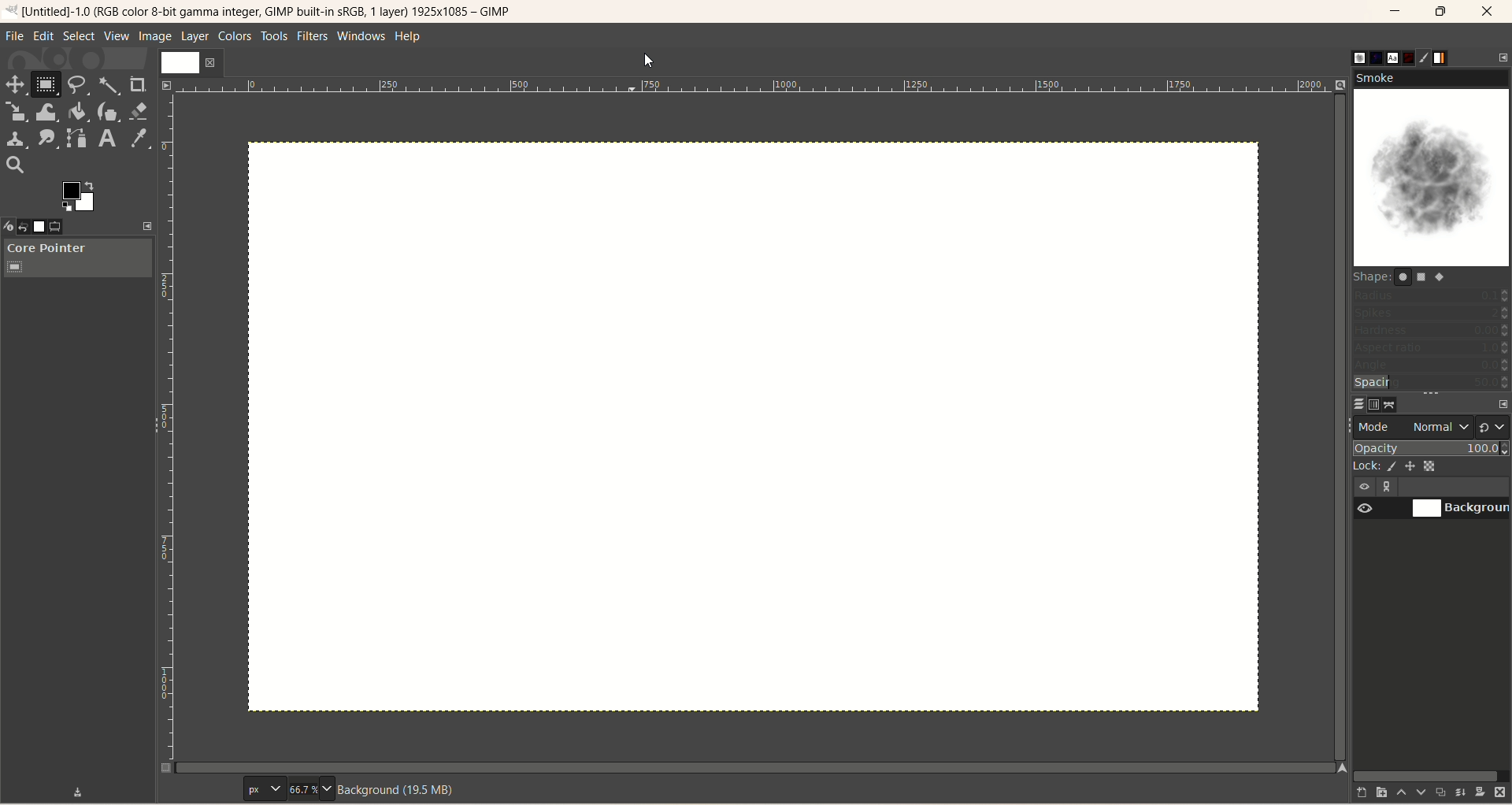  What do you see at coordinates (1369, 57) in the screenshot?
I see `pattern` at bounding box center [1369, 57].